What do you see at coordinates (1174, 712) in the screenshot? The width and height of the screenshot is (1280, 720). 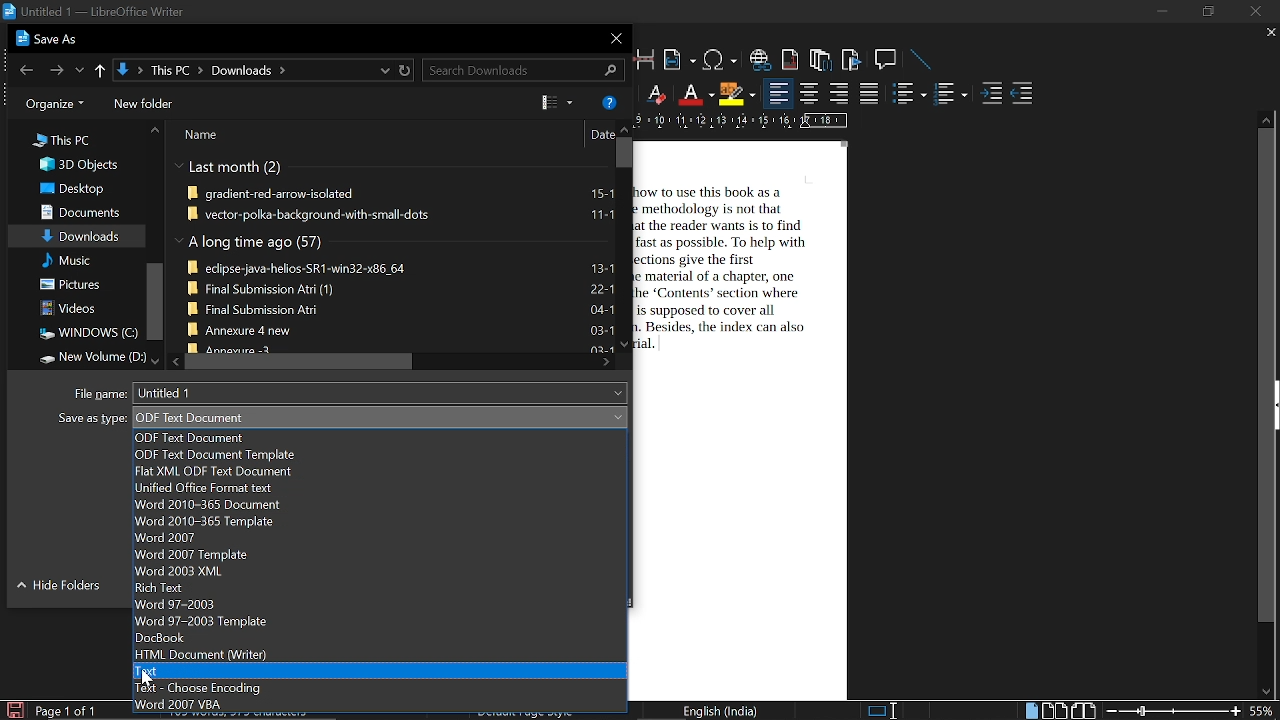 I see `change zoom` at bounding box center [1174, 712].